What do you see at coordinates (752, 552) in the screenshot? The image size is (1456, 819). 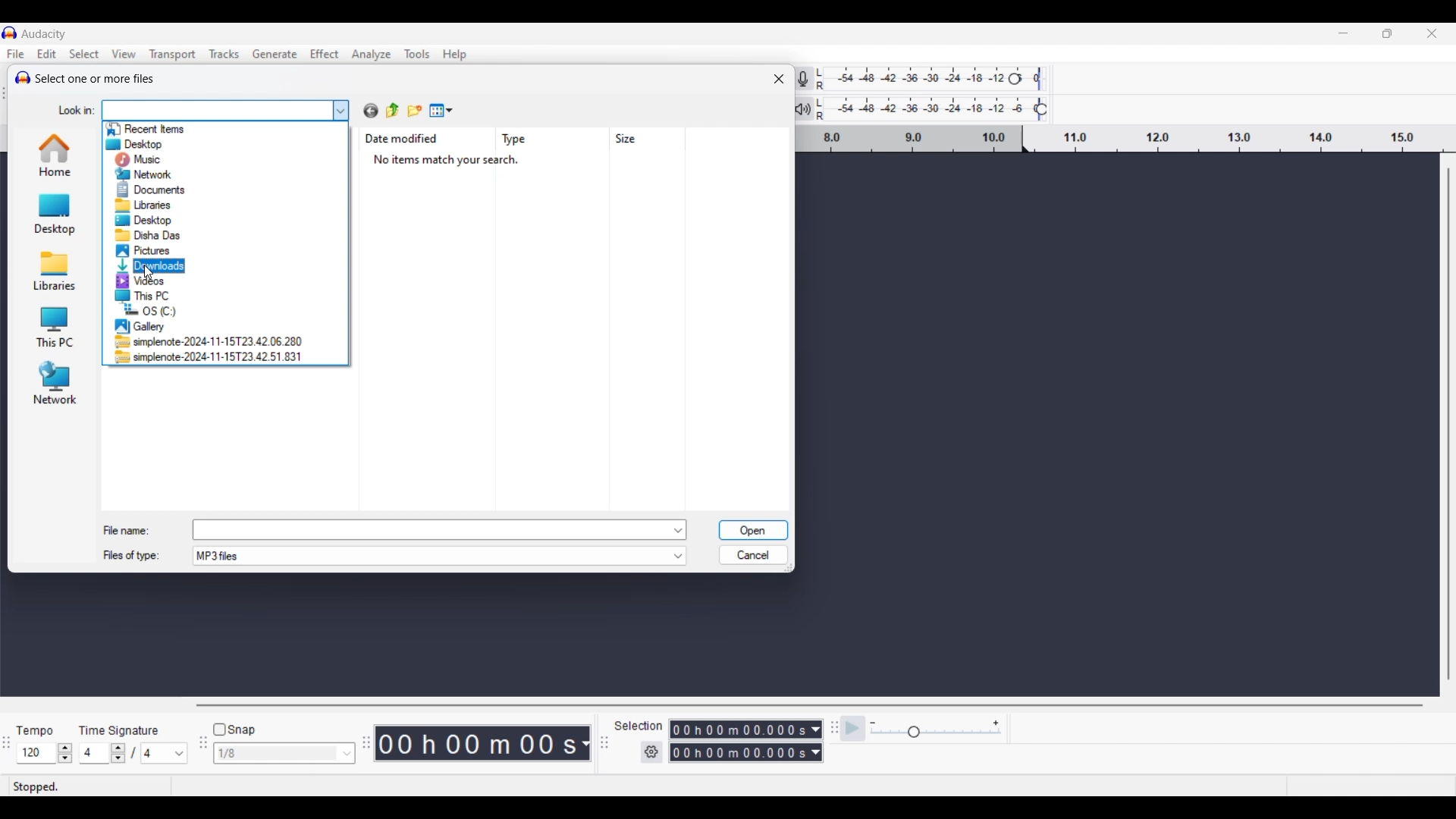 I see `Click to cancel inputs` at bounding box center [752, 552].